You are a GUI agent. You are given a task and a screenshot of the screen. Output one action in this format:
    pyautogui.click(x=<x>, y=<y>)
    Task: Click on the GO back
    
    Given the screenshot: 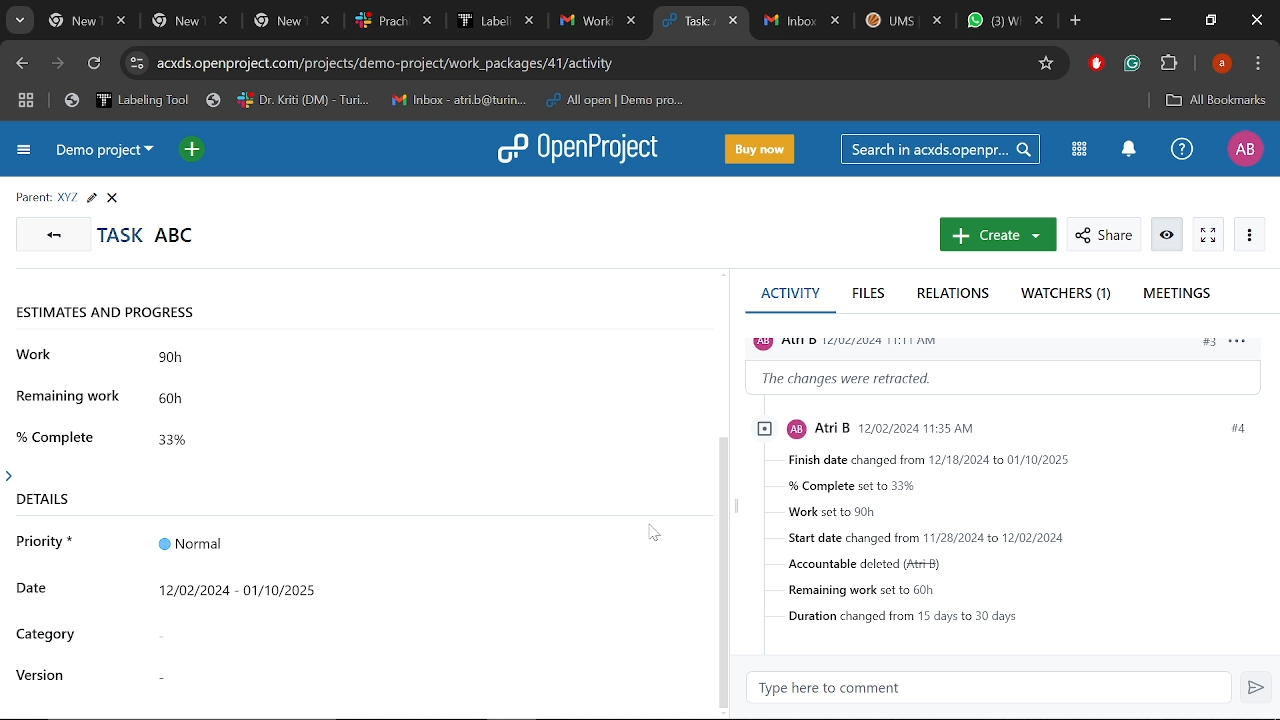 What is the action you would take?
    pyautogui.click(x=50, y=233)
    